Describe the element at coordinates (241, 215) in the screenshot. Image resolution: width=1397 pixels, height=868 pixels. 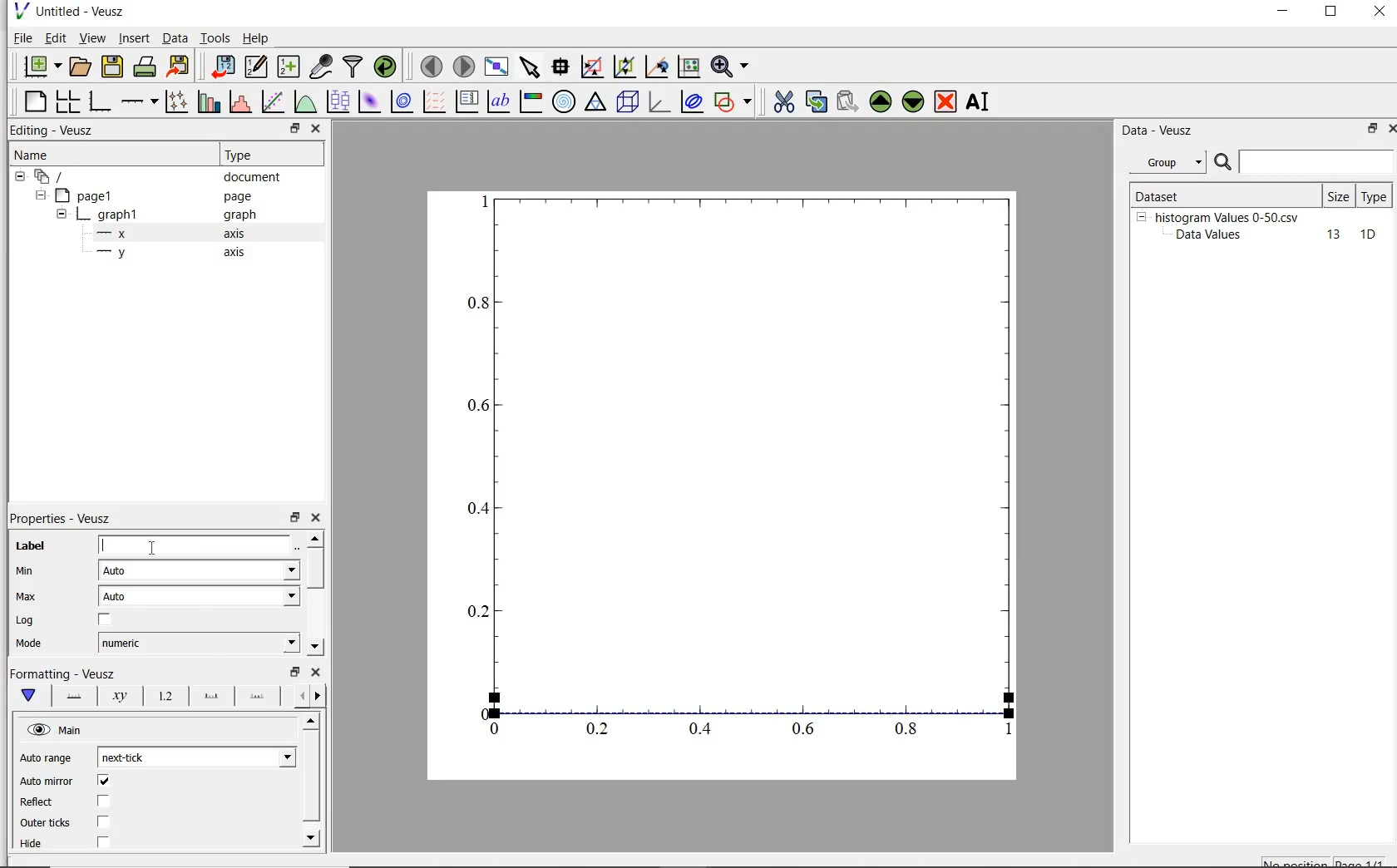
I see `` at that location.